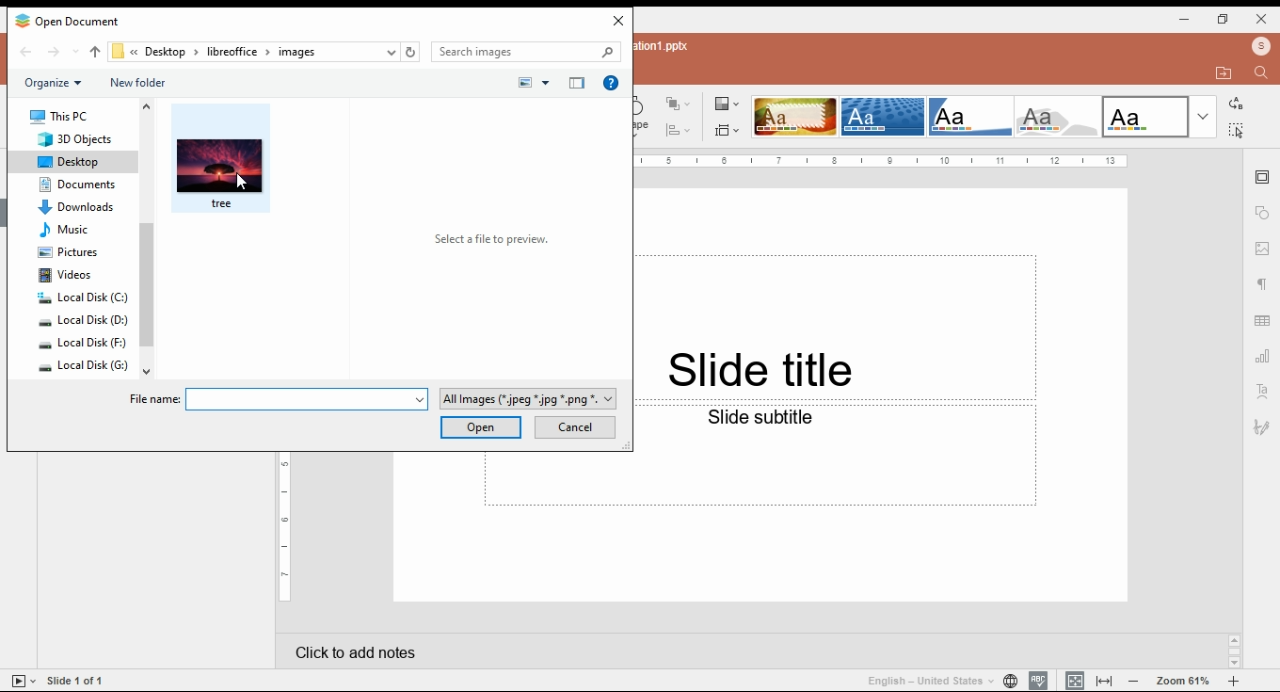 The width and height of the screenshot is (1280, 692). Describe the element at coordinates (574, 427) in the screenshot. I see `cancel` at that location.